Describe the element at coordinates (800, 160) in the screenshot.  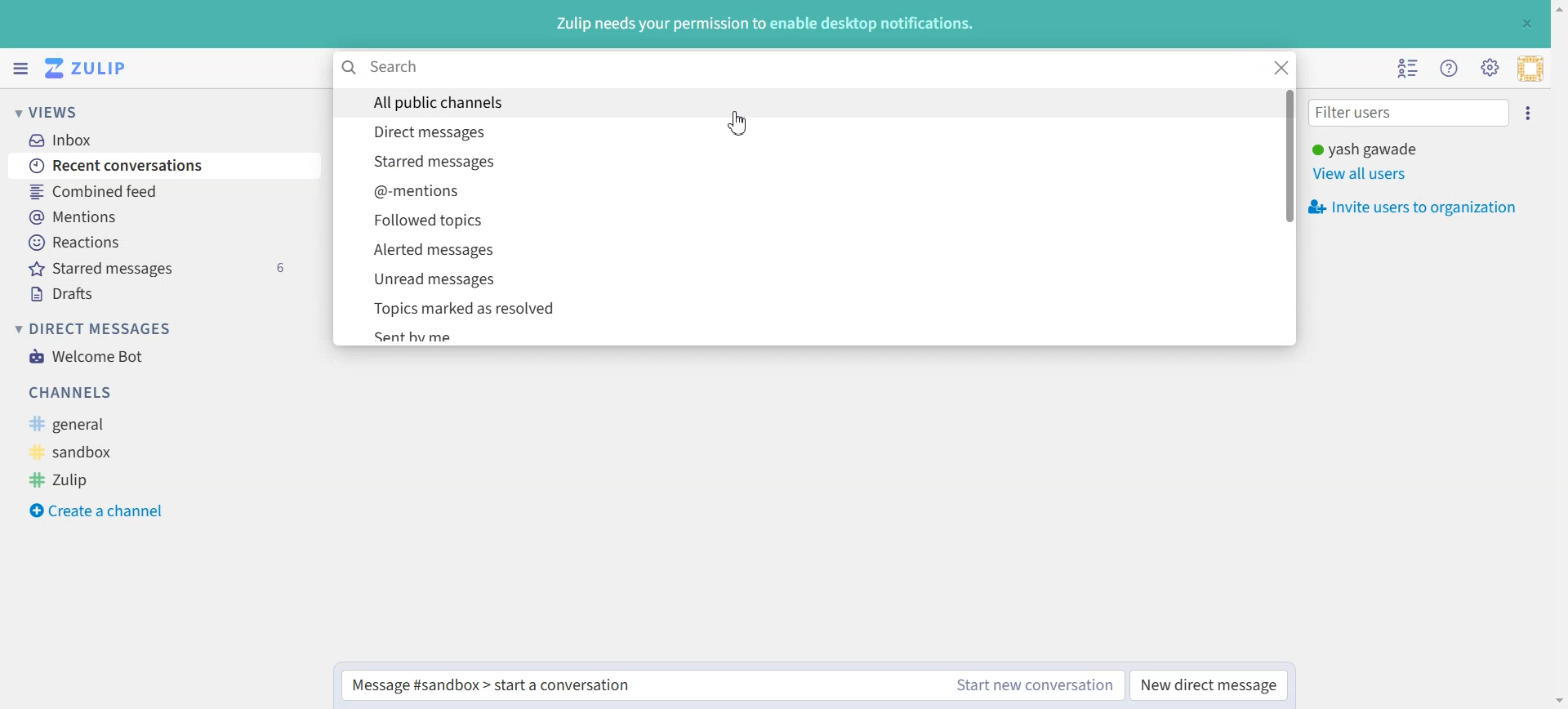
I see `Starred messages` at that location.